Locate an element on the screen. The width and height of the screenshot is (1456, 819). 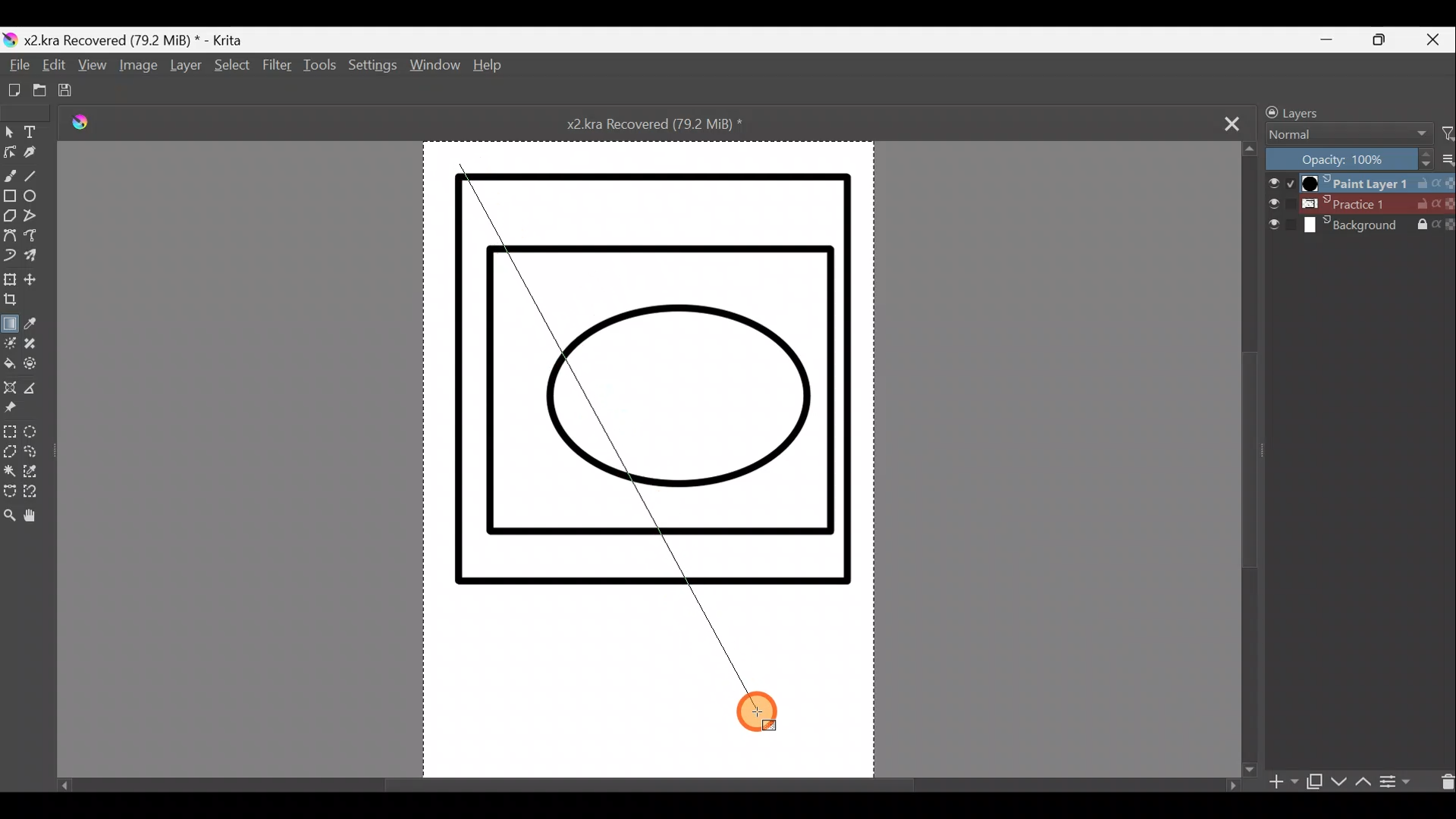
Text tool is located at coordinates (35, 132).